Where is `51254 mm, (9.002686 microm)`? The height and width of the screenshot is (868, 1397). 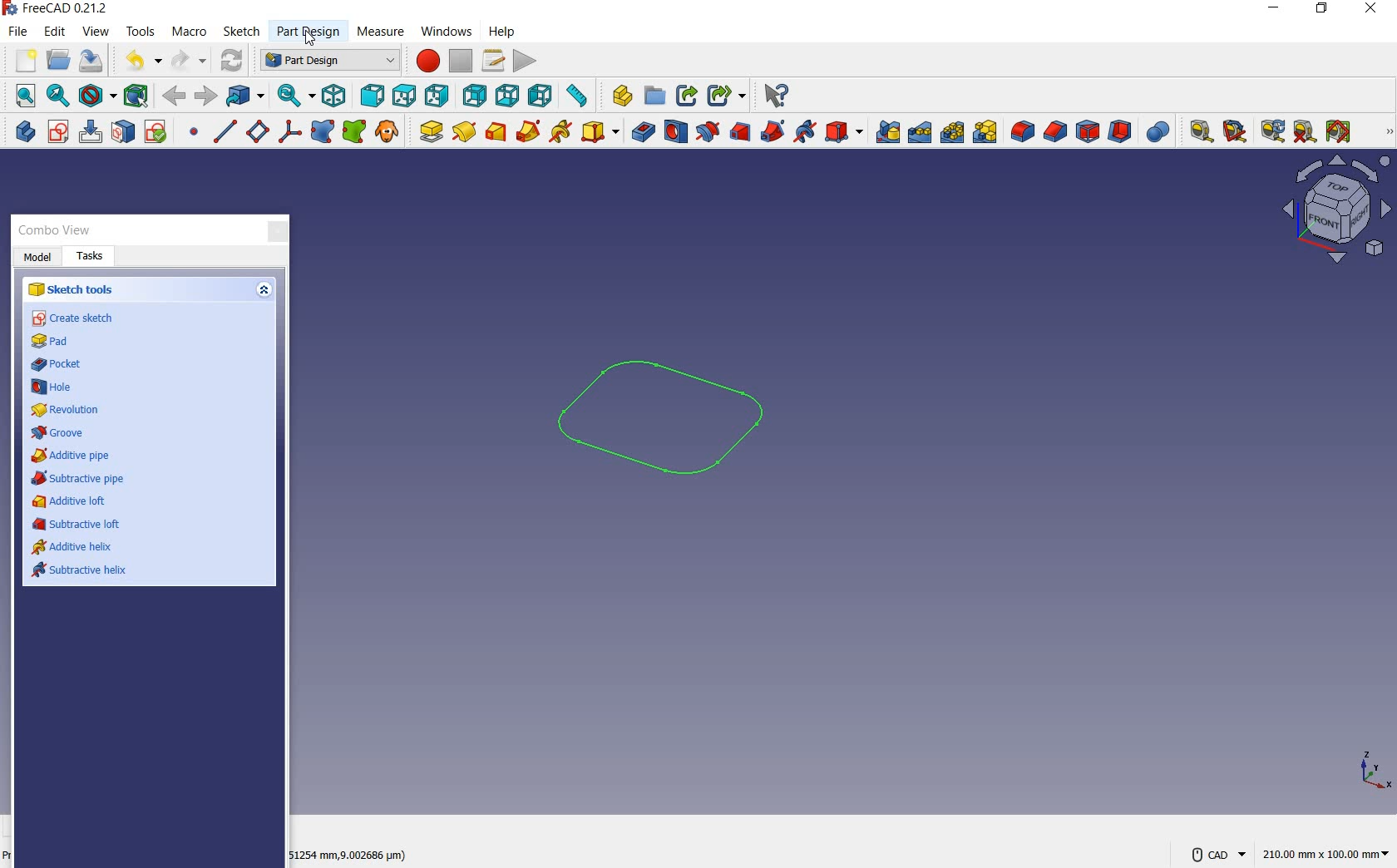
51254 mm, (9.002686 microm) is located at coordinates (349, 857).